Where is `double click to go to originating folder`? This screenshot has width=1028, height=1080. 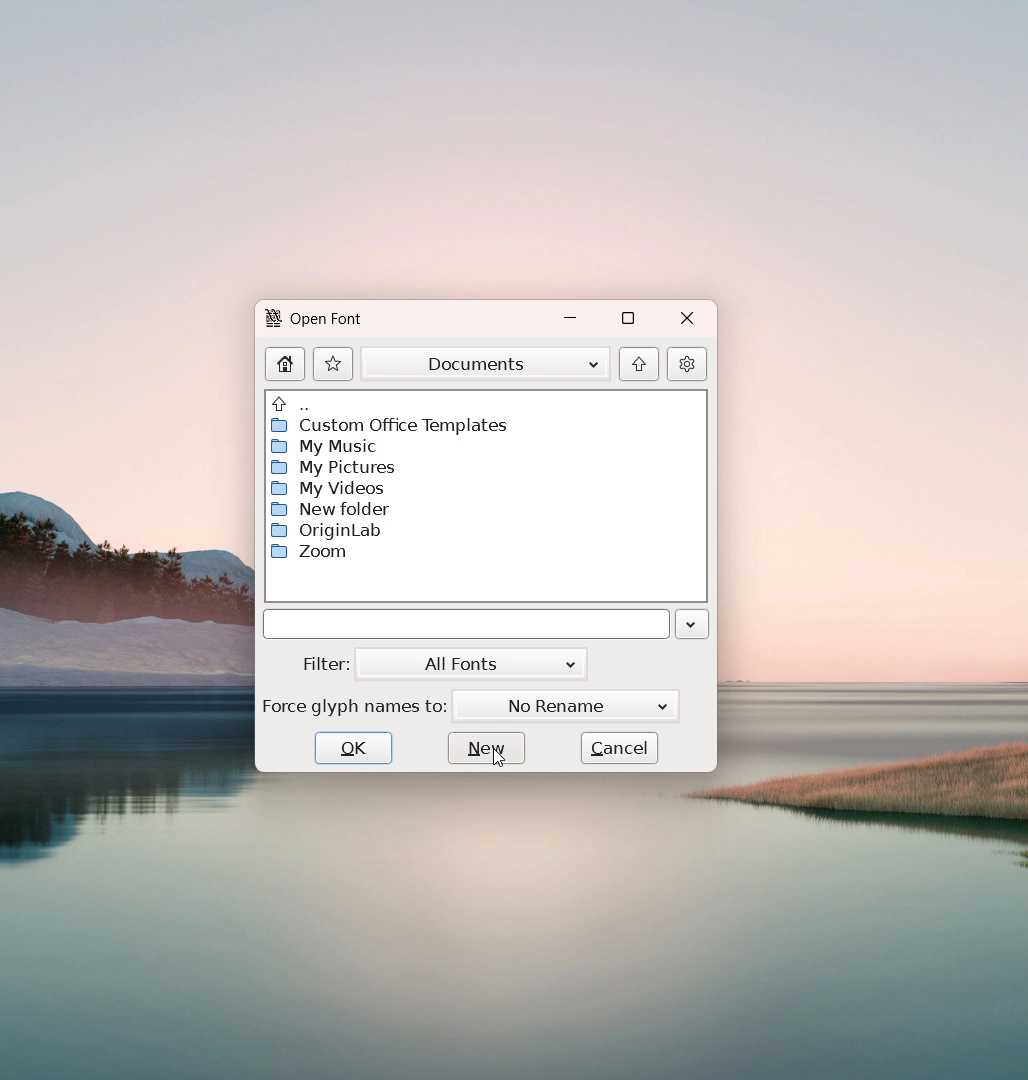
double click to go to originating folder is located at coordinates (290, 401).